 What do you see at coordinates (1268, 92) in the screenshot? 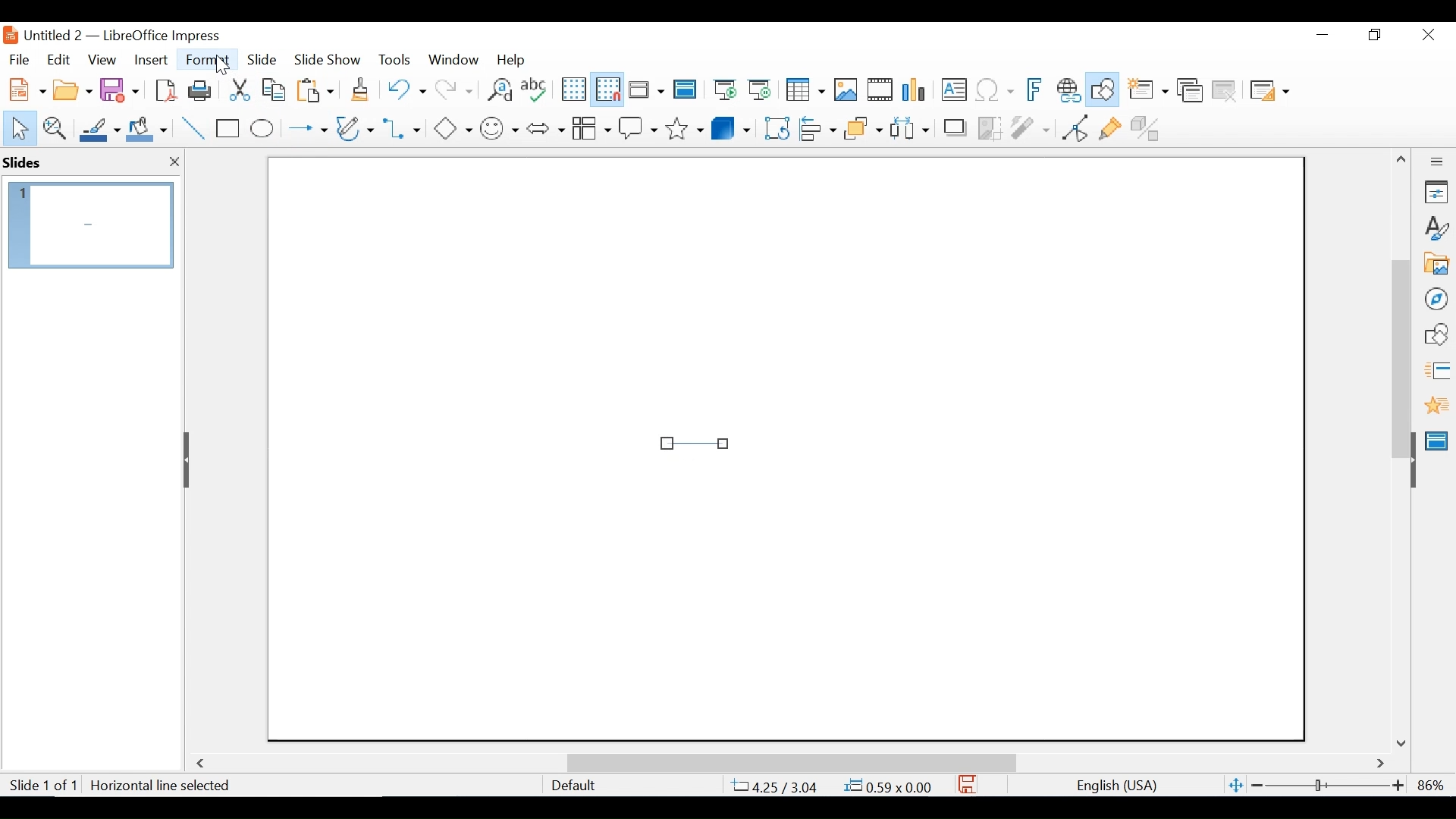
I see `Slide Layout` at bounding box center [1268, 92].